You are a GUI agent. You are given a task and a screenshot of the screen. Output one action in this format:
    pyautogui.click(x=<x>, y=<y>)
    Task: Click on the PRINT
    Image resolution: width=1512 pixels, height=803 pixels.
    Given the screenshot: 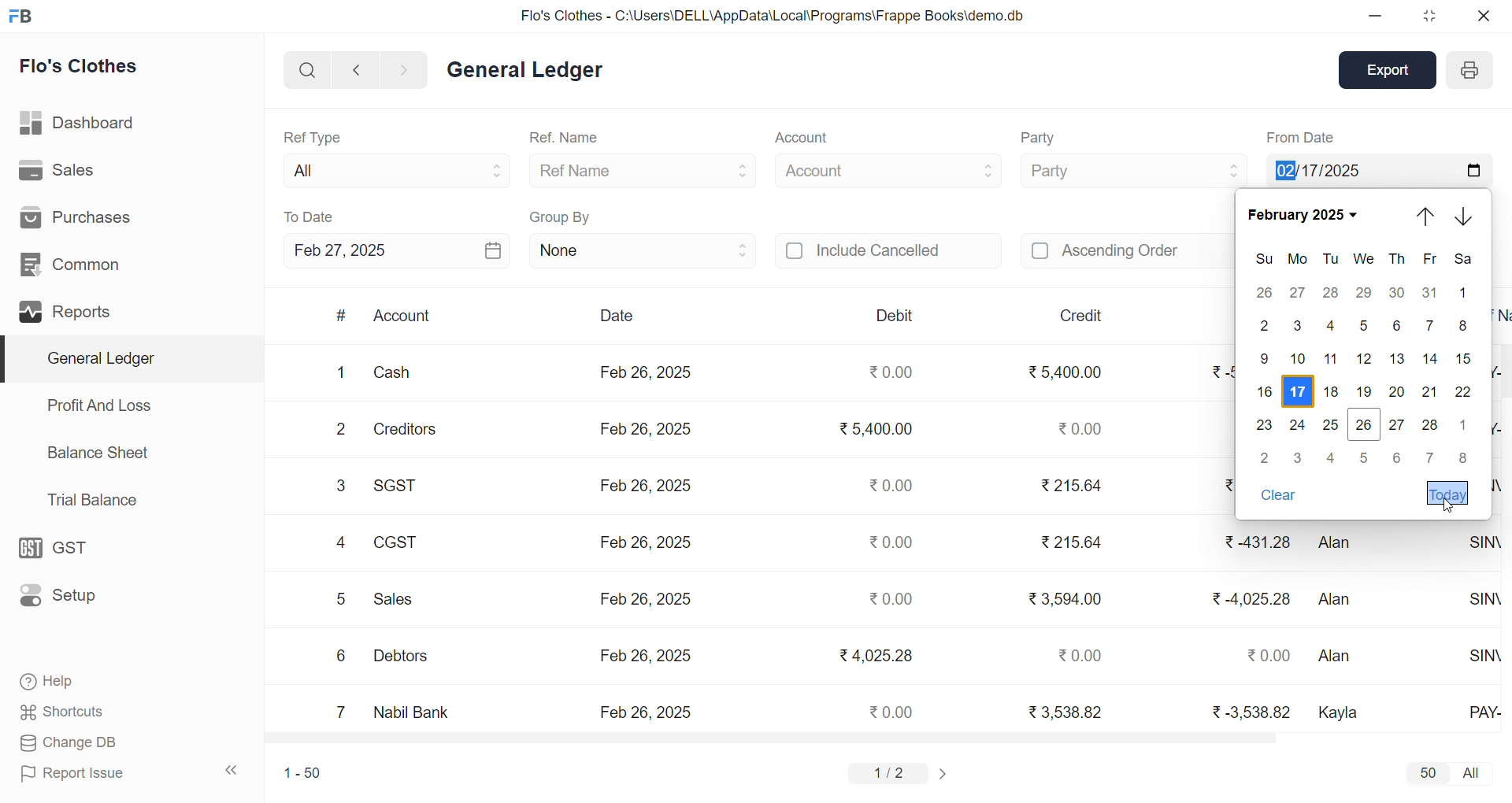 What is the action you would take?
    pyautogui.click(x=1469, y=72)
    